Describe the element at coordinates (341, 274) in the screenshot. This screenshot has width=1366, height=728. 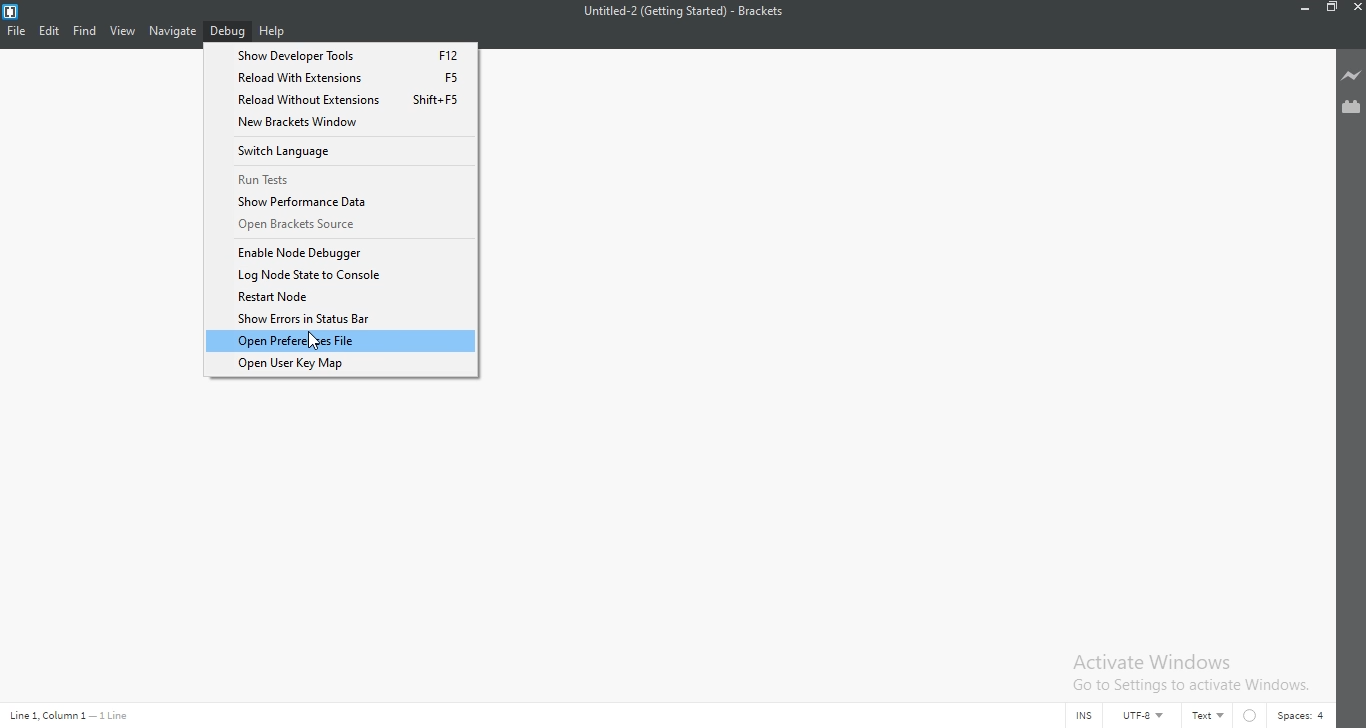
I see `Log Node state to console` at that location.